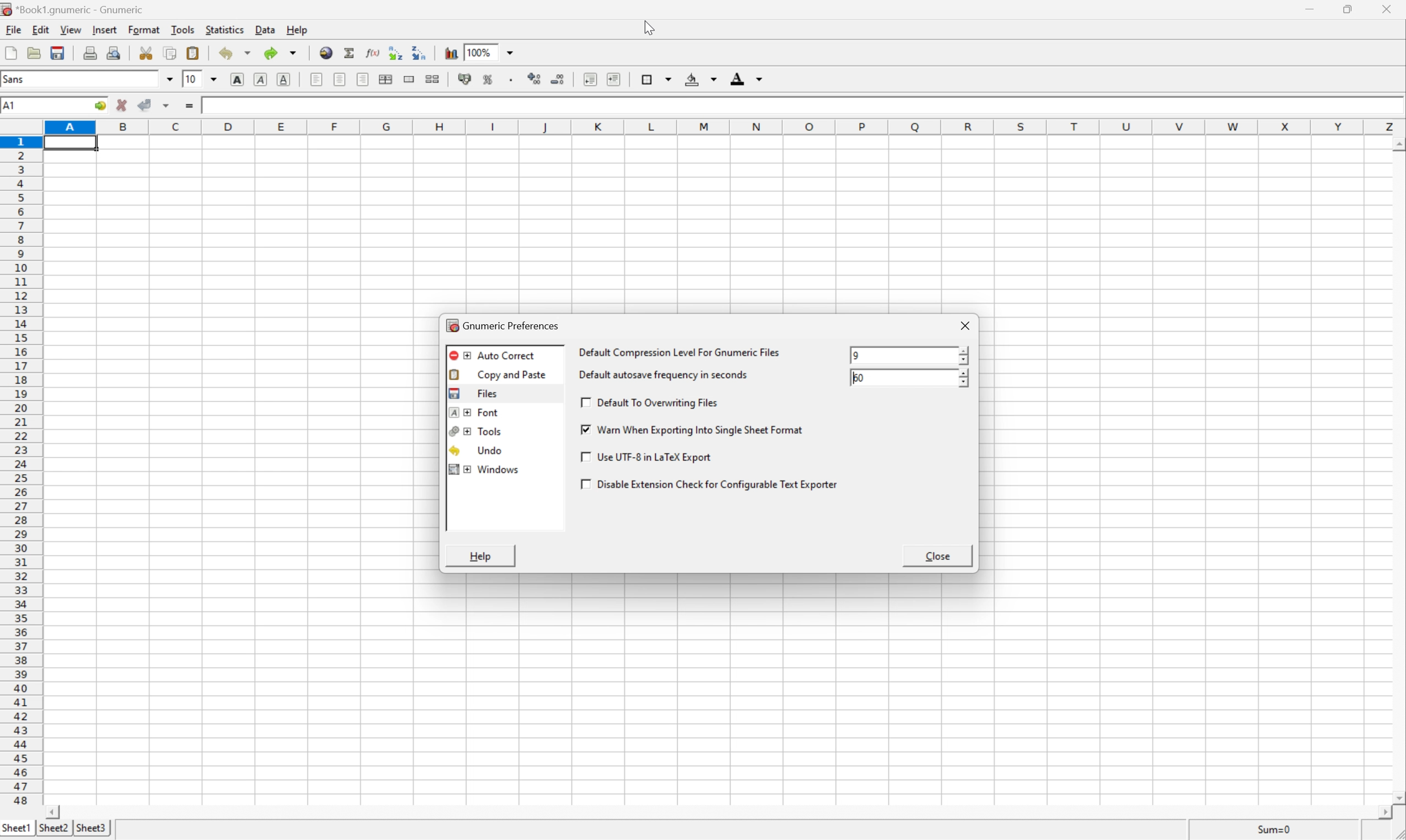  I want to click on center horizontally, so click(341, 79).